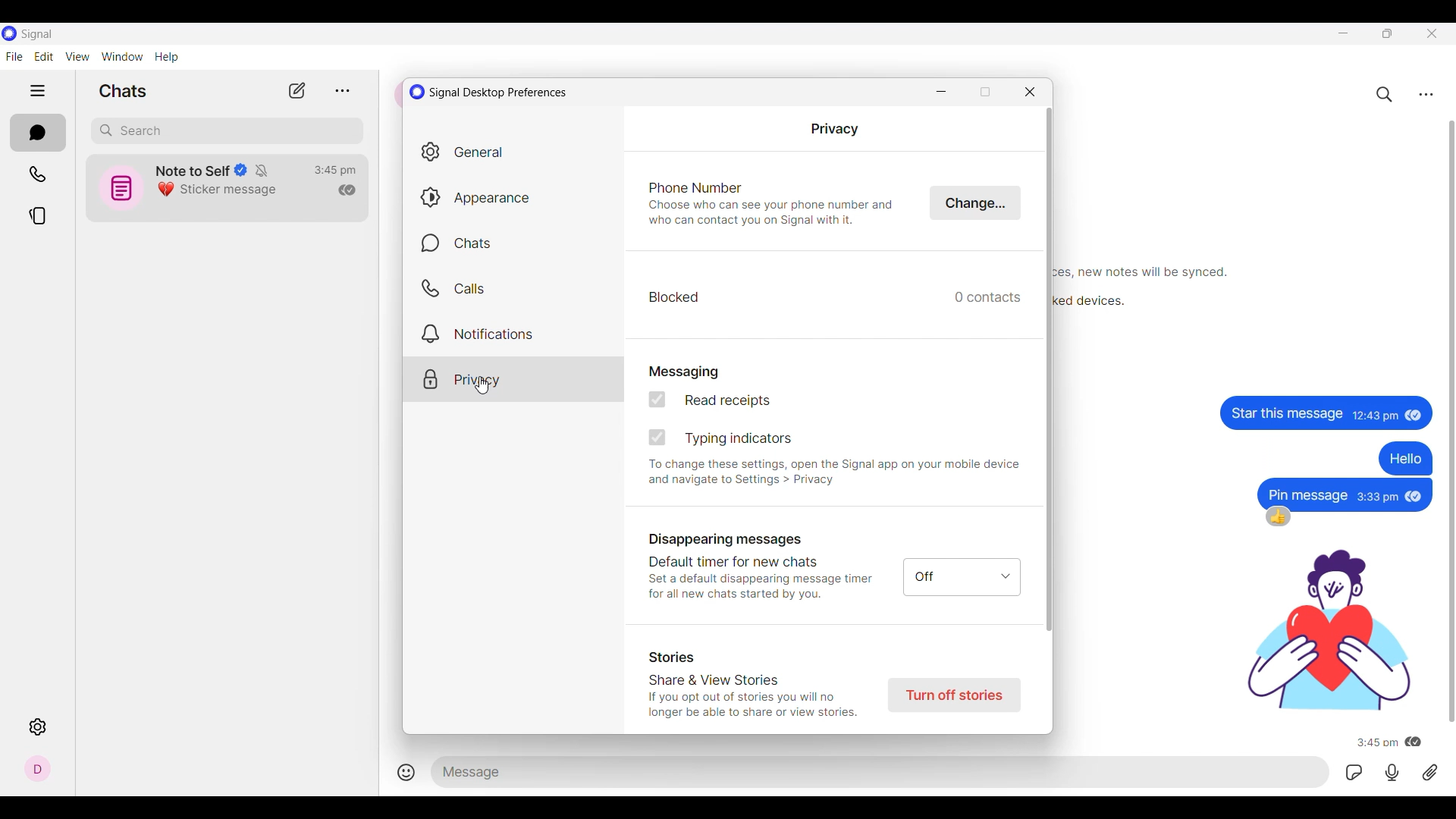  I want to click on Help menu, so click(166, 57).